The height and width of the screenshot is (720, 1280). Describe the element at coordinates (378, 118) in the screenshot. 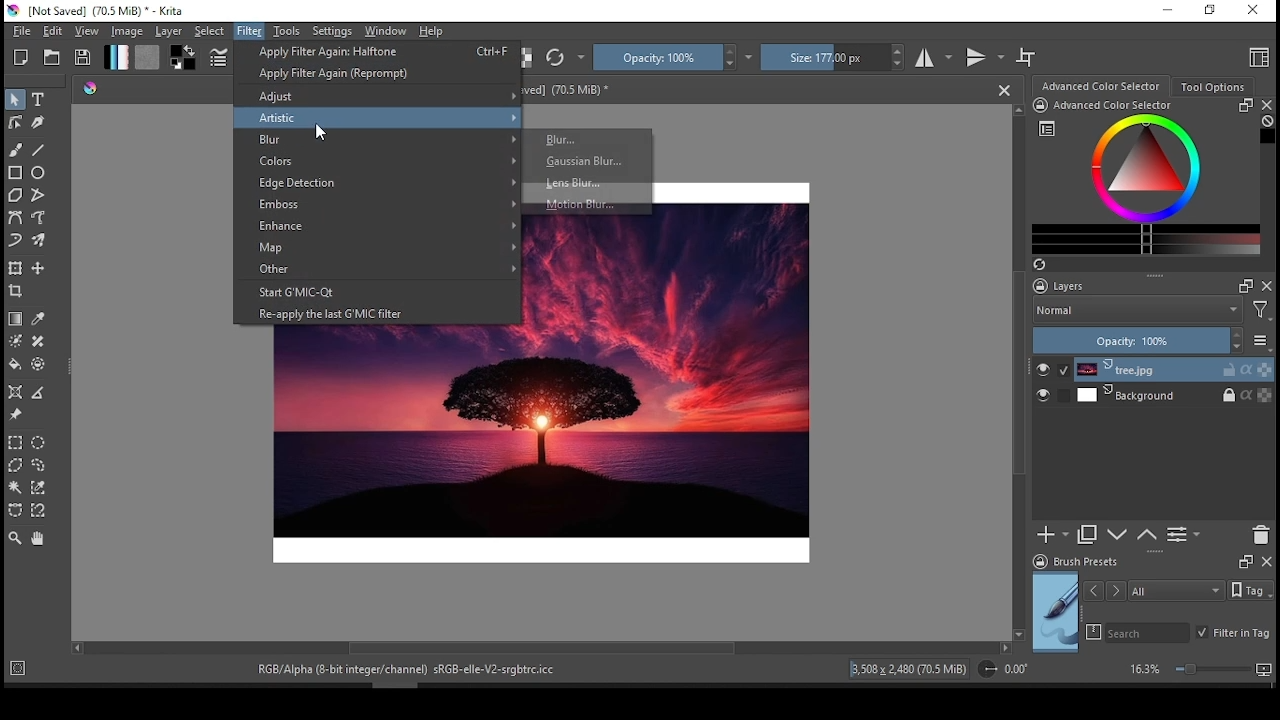

I see `artistic` at that location.